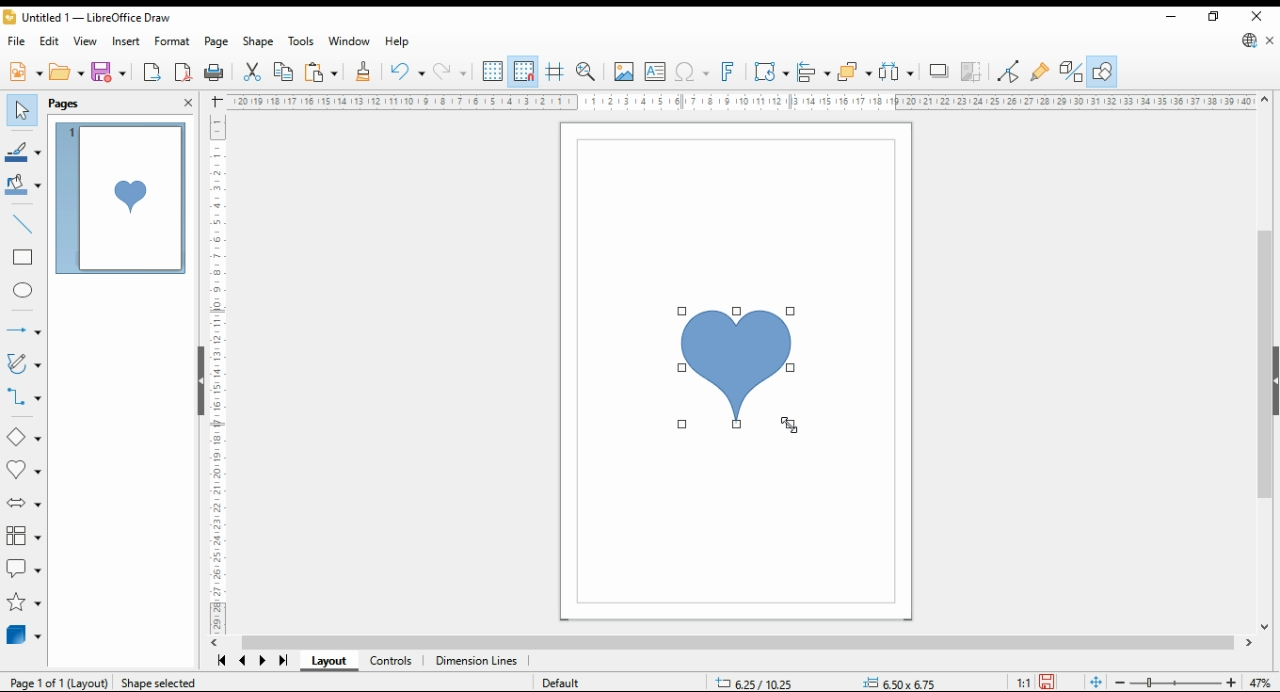 The image size is (1280, 692). What do you see at coordinates (25, 72) in the screenshot?
I see `new` at bounding box center [25, 72].